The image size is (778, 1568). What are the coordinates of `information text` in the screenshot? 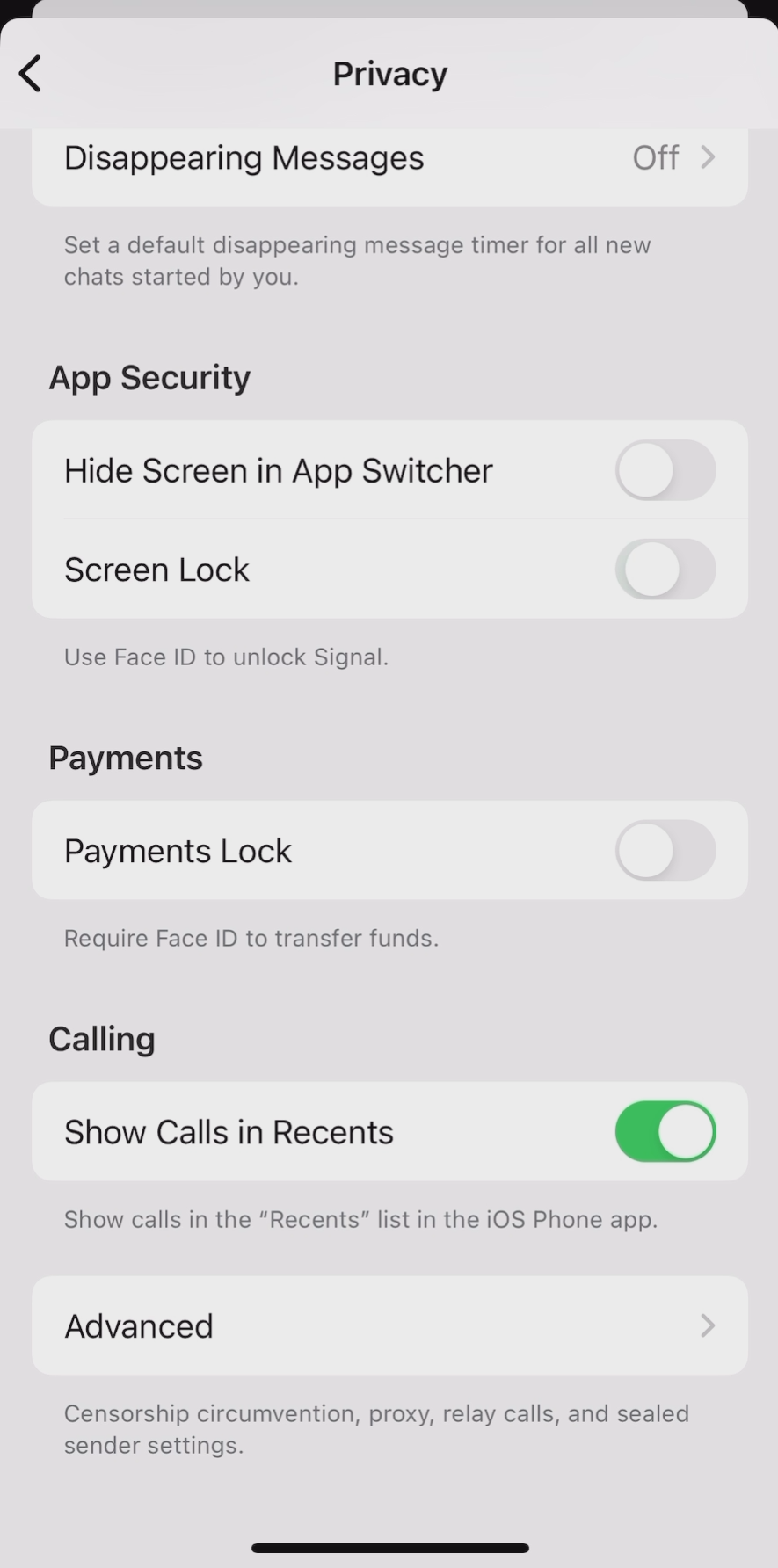 It's located at (360, 1221).